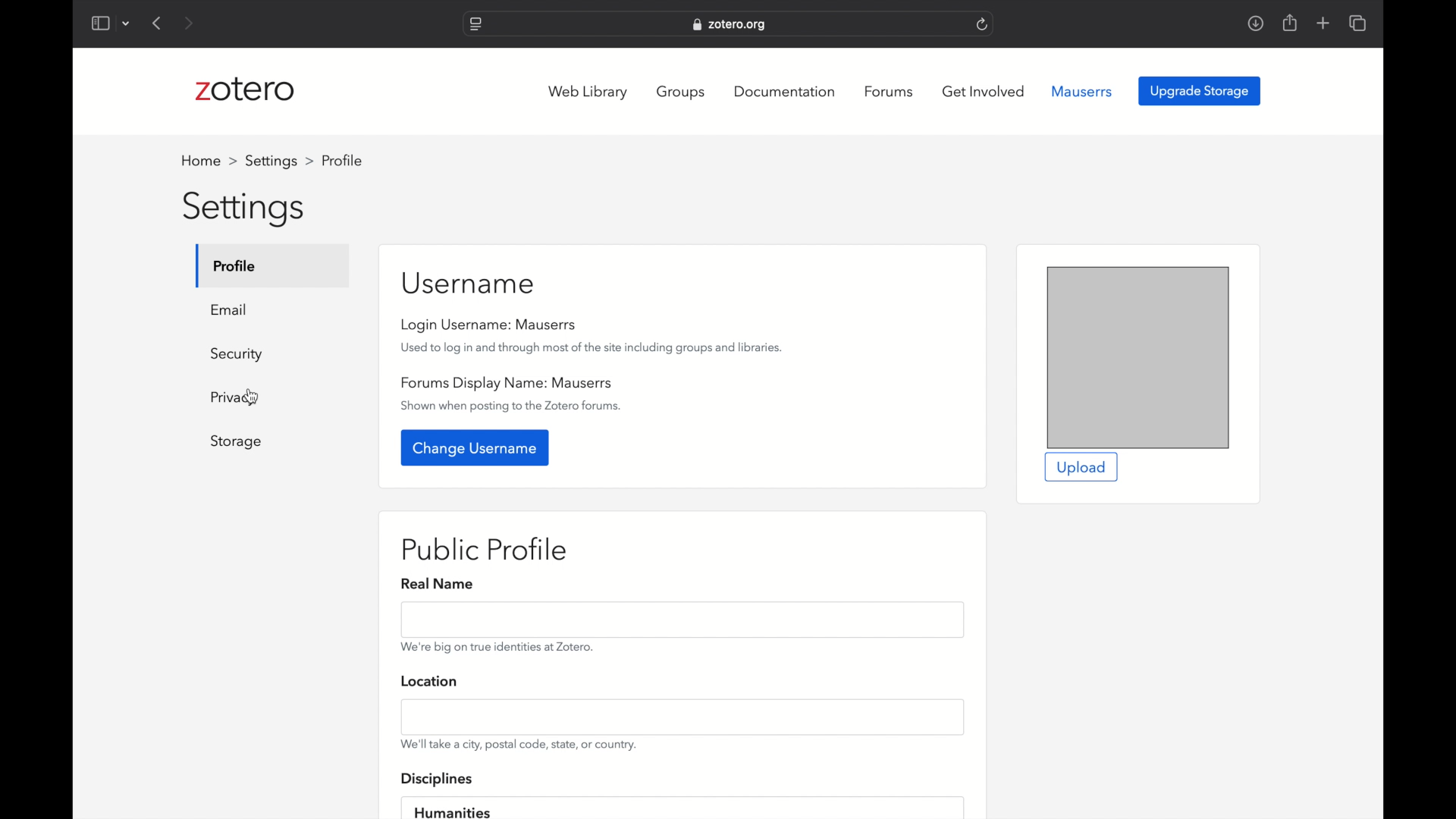 The height and width of the screenshot is (819, 1456). What do you see at coordinates (190, 24) in the screenshot?
I see `next` at bounding box center [190, 24].